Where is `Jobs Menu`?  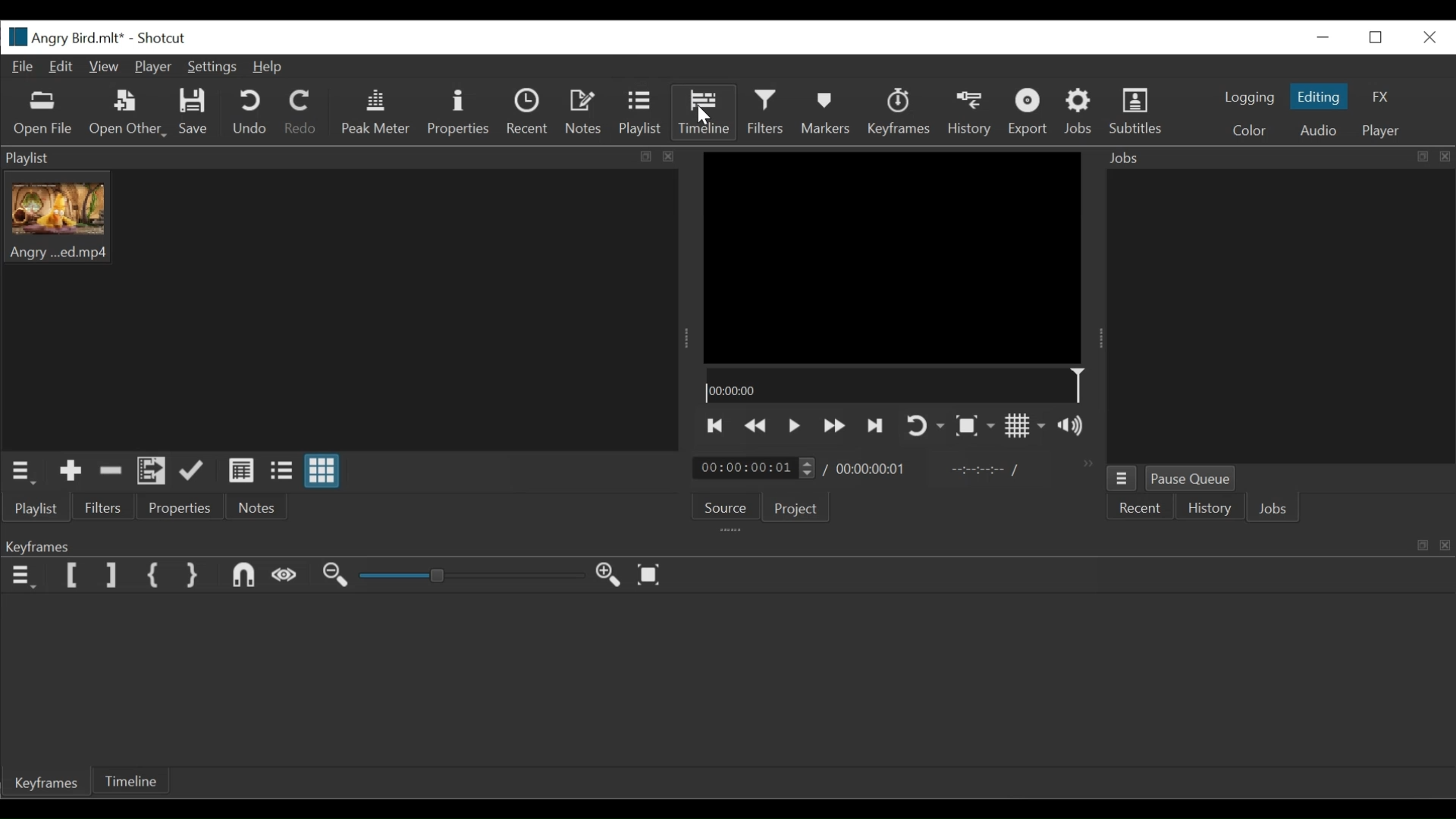 Jobs Menu is located at coordinates (1121, 479).